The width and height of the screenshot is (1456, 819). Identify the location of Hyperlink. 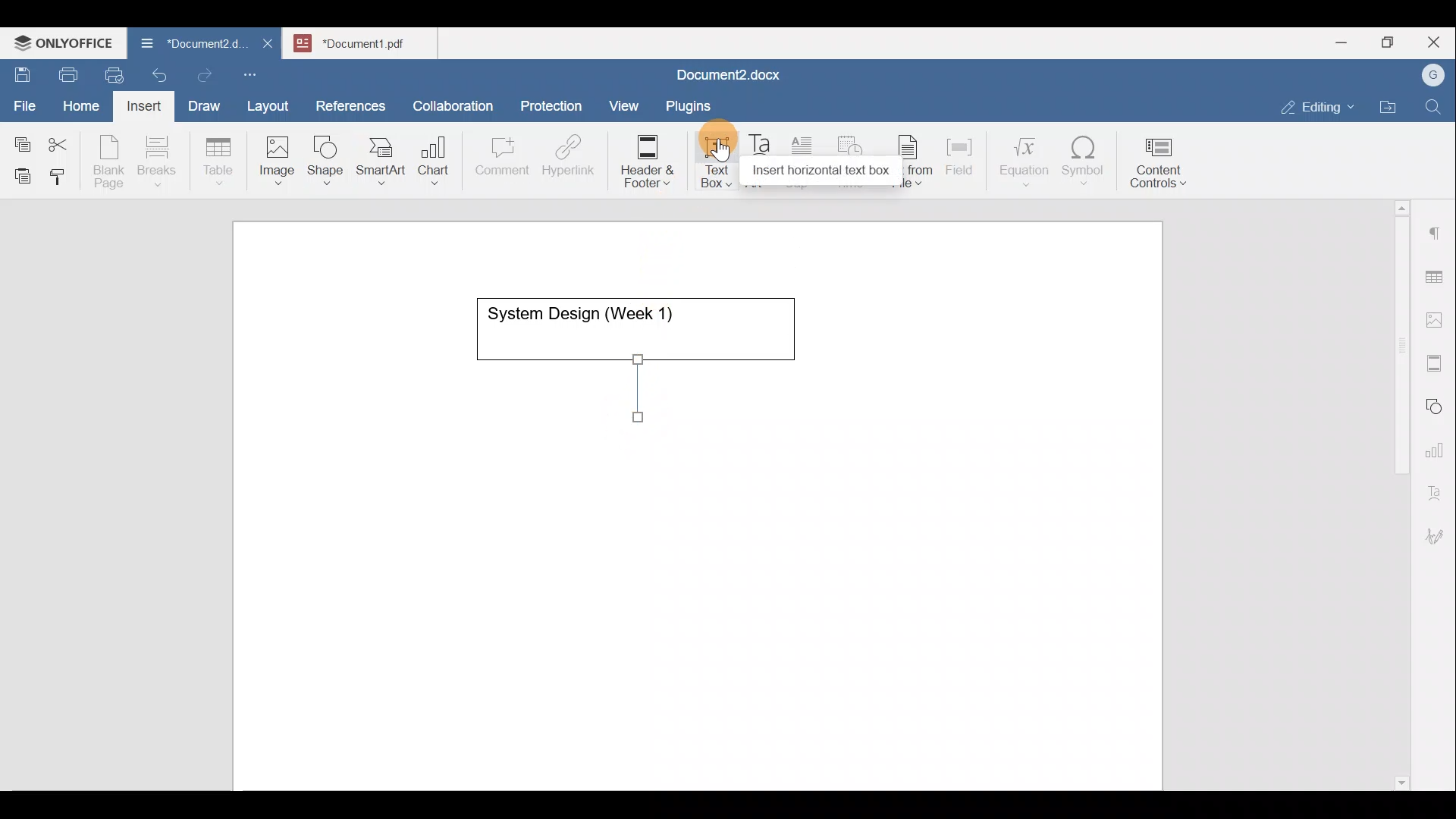
(573, 160).